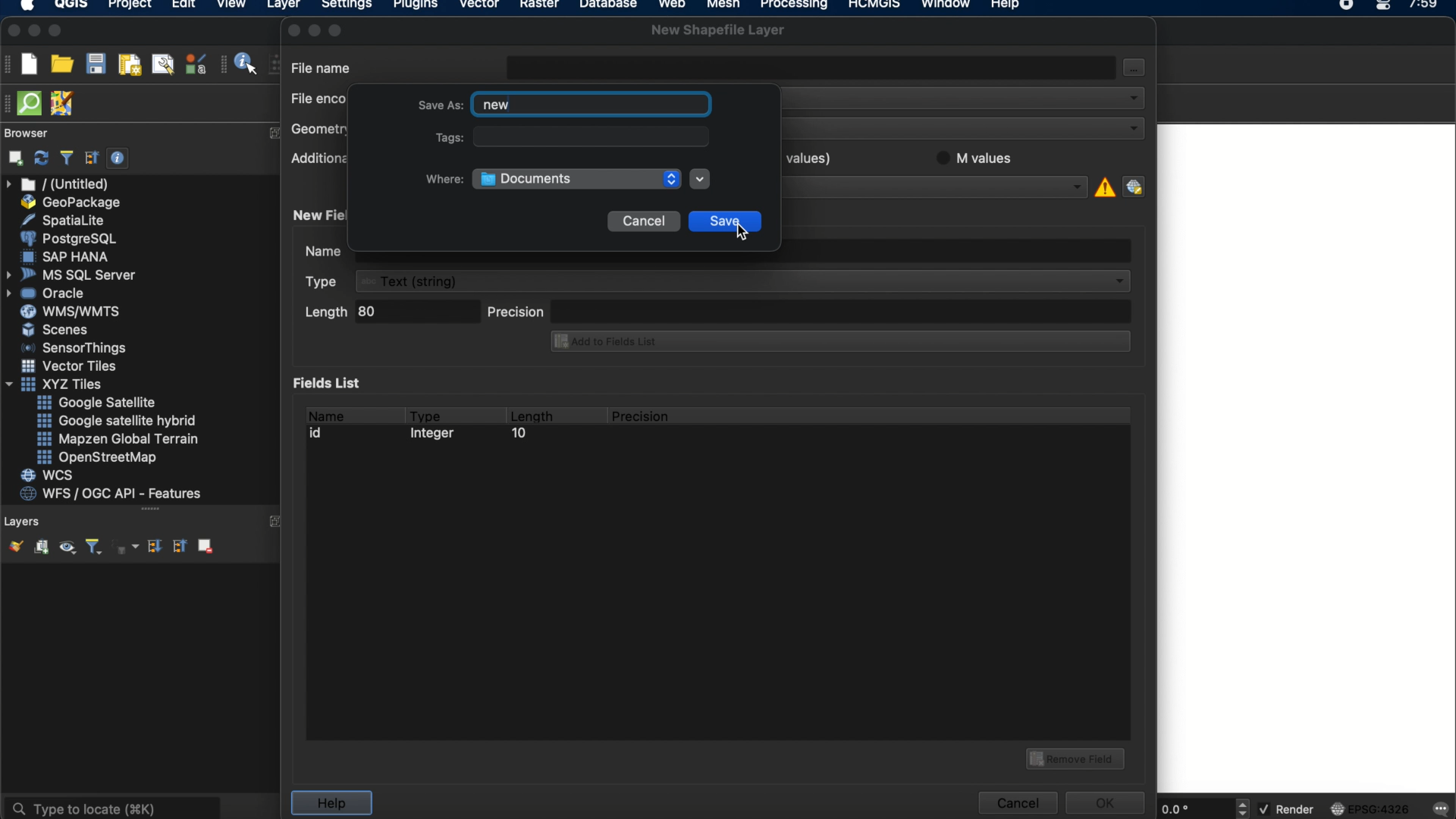  Describe the element at coordinates (277, 521) in the screenshot. I see `expand` at that location.